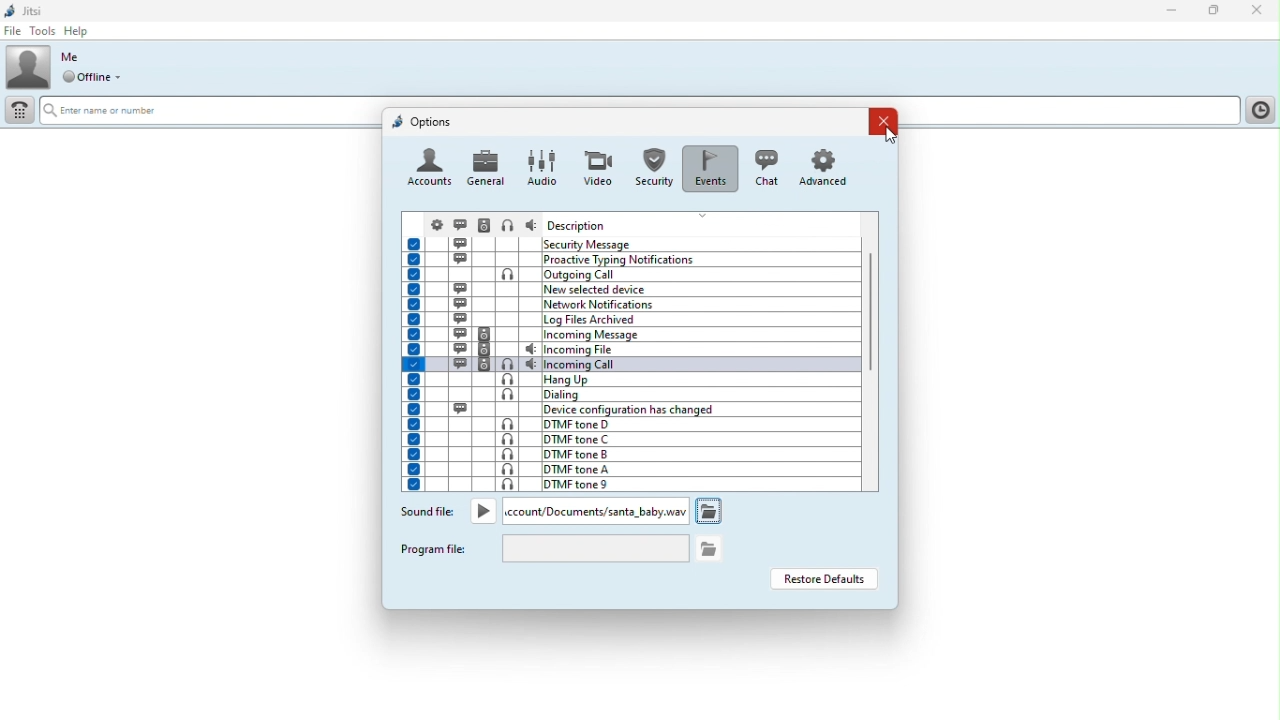 The width and height of the screenshot is (1280, 720). What do you see at coordinates (428, 514) in the screenshot?
I see `Sound file` at bounding box center [428, 514].